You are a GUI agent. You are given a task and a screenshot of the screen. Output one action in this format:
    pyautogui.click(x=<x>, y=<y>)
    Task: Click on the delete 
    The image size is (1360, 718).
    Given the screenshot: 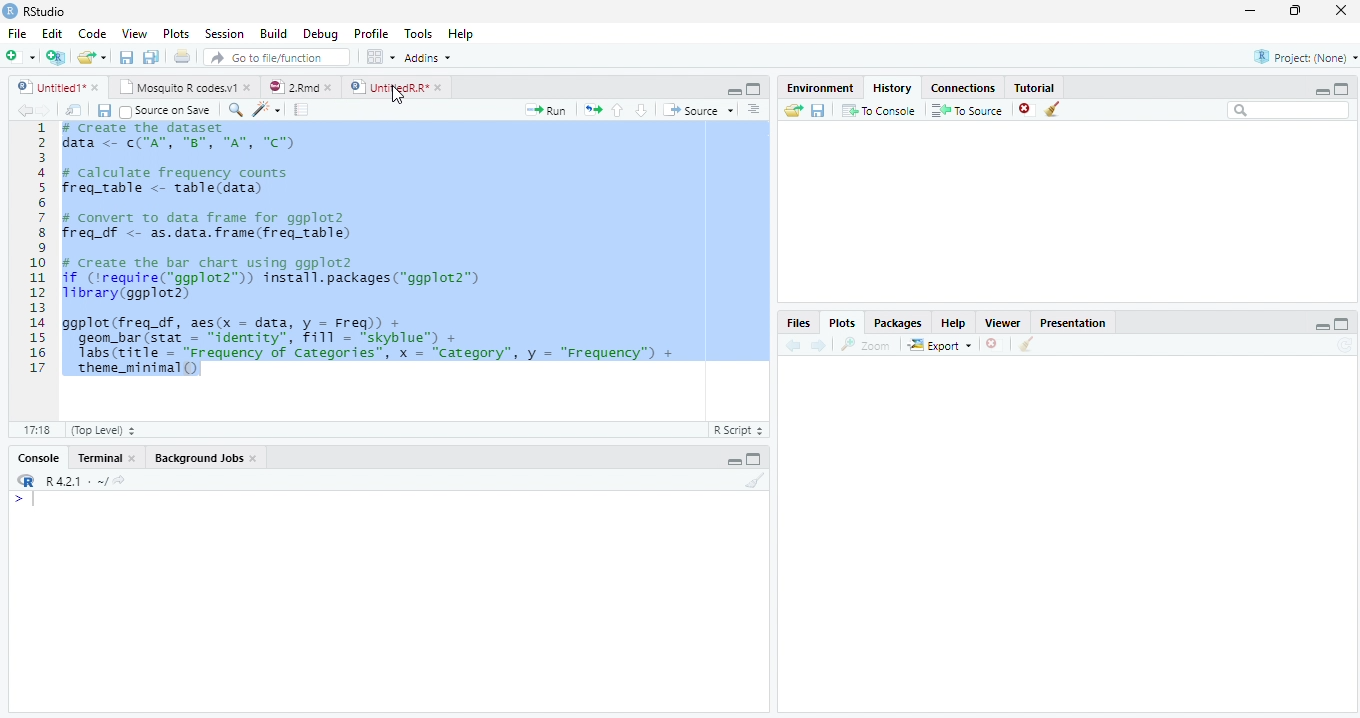 What is the action you would take?
    pyautogui.click(x=994, y=343)
    